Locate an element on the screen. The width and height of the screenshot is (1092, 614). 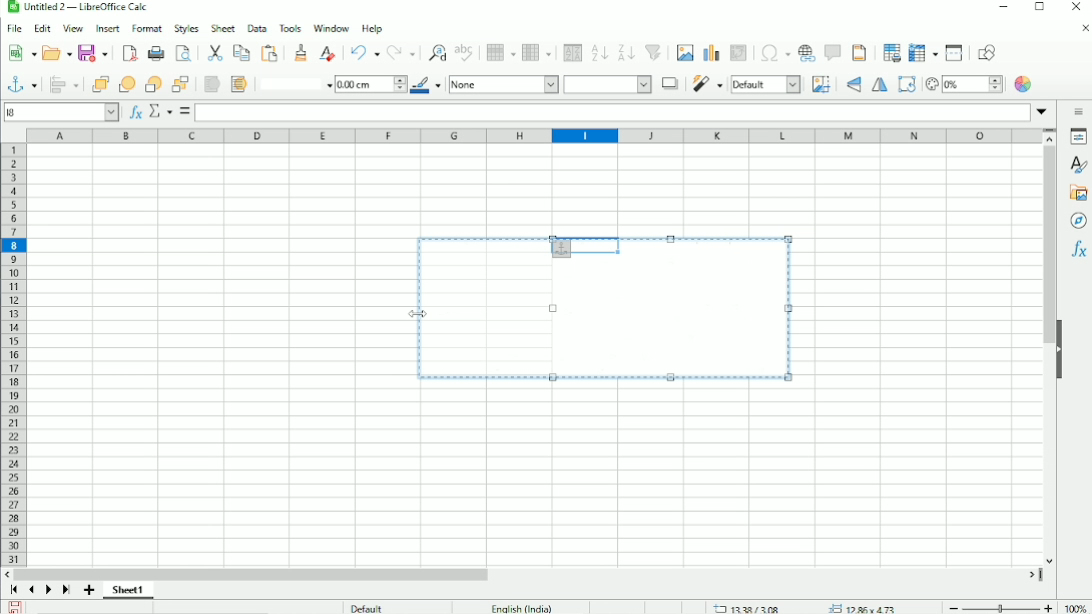
Bring to front is located at coordinates (99, 84).